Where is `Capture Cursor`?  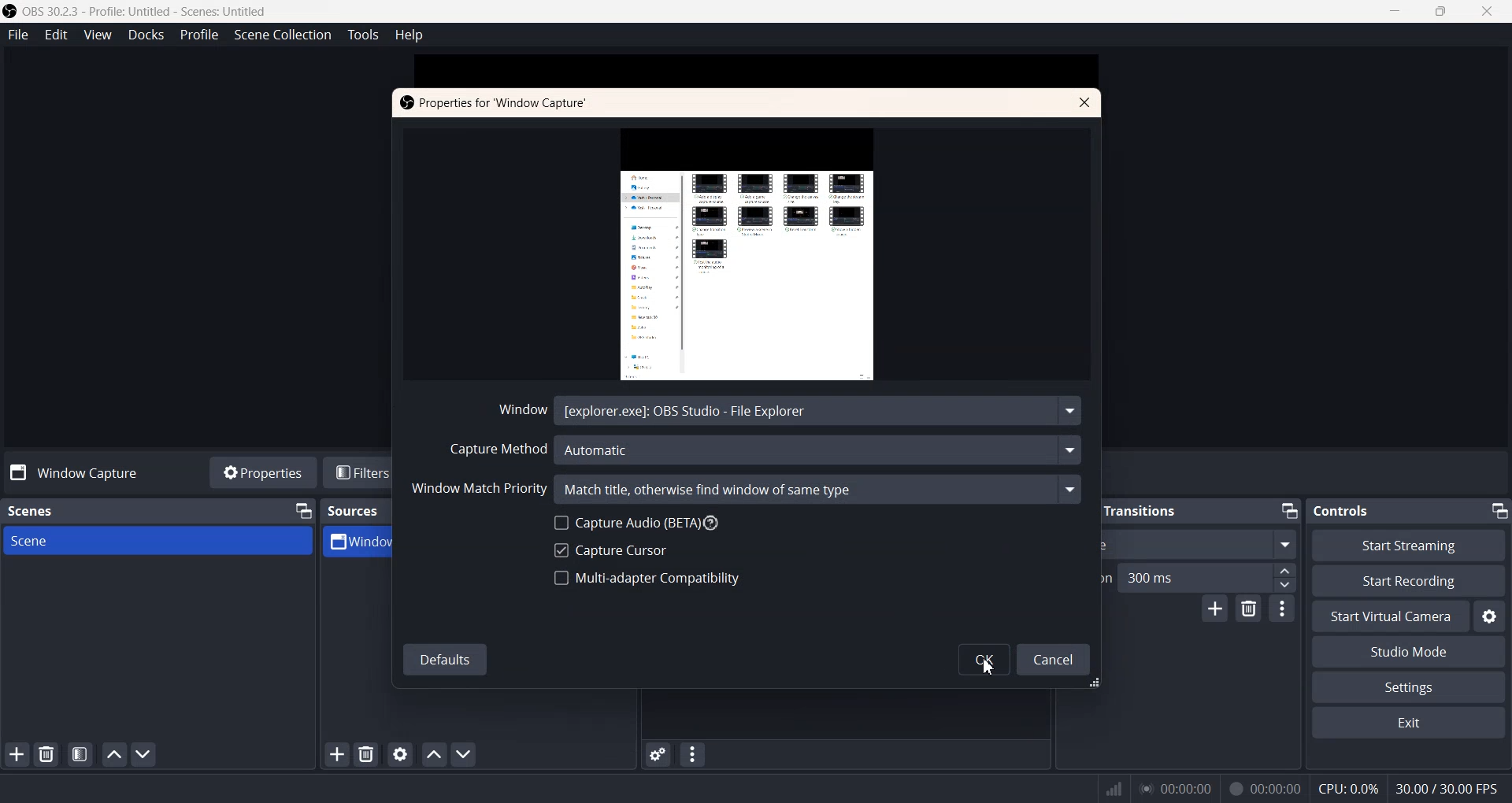
Capture Cursor is located at coordinates (610, 550).